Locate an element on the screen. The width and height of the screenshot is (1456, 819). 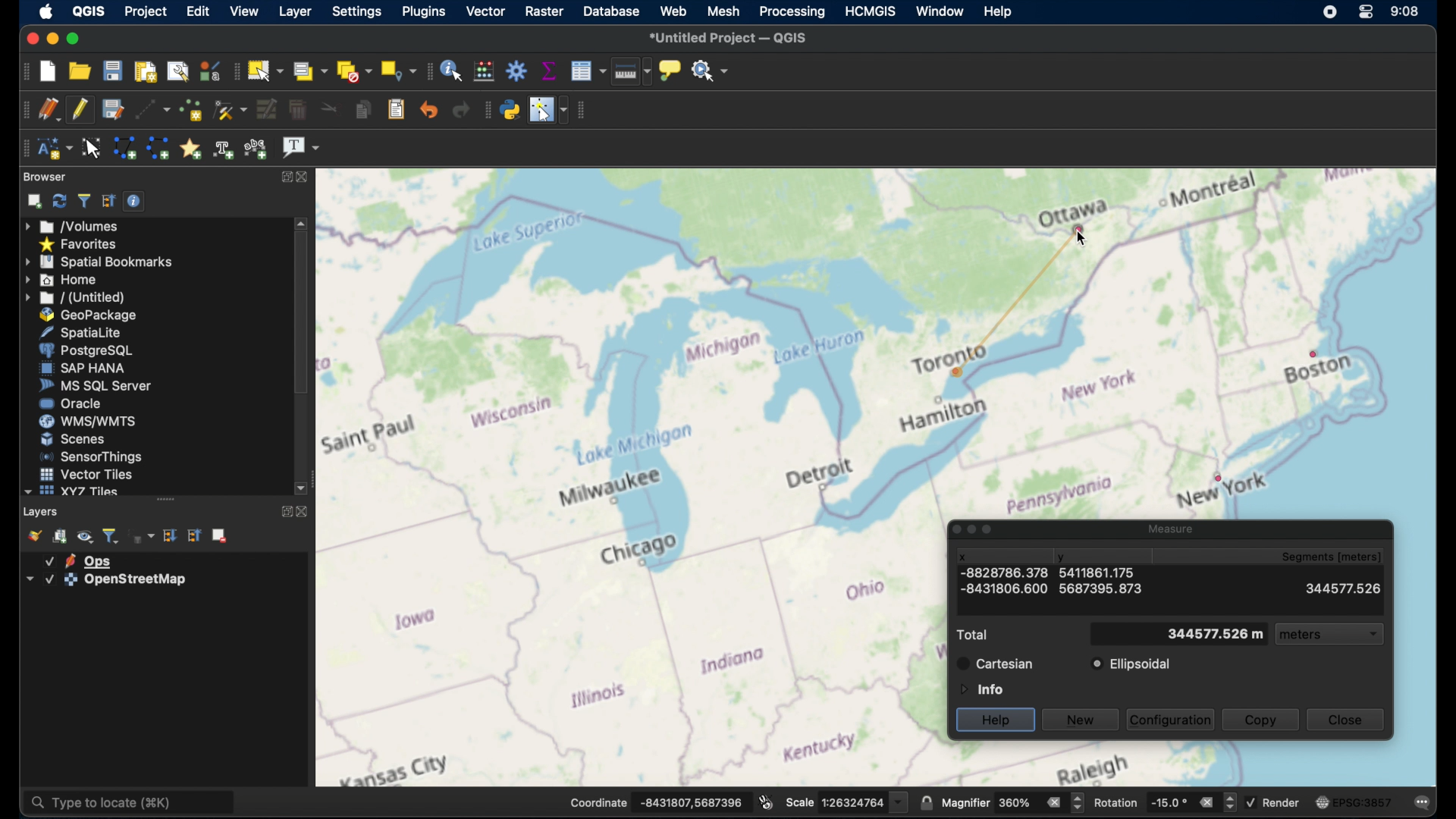
new print layout is located at coordinates (145, 69).